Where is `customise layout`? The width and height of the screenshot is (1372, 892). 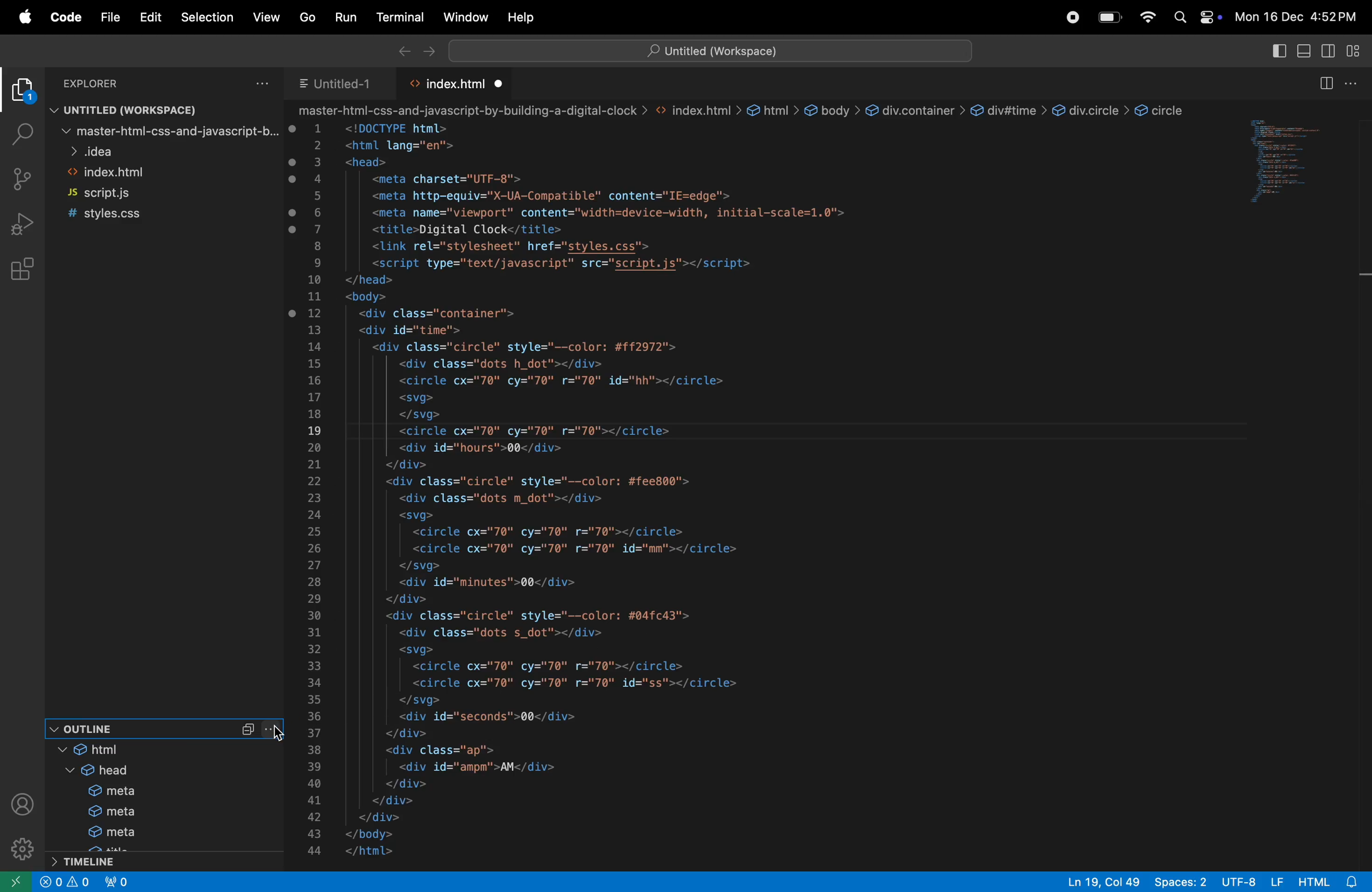 customise layout is located at coordinates (1359, 49).